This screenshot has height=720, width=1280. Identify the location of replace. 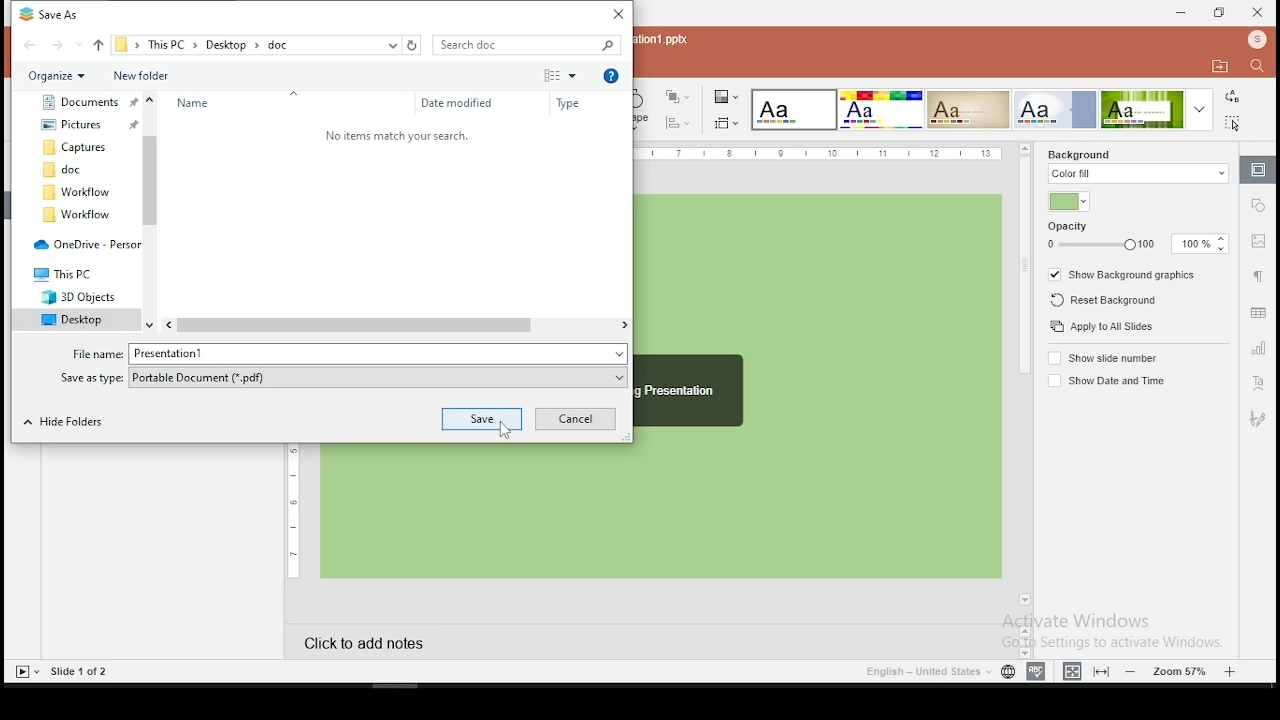
(1233, 96).